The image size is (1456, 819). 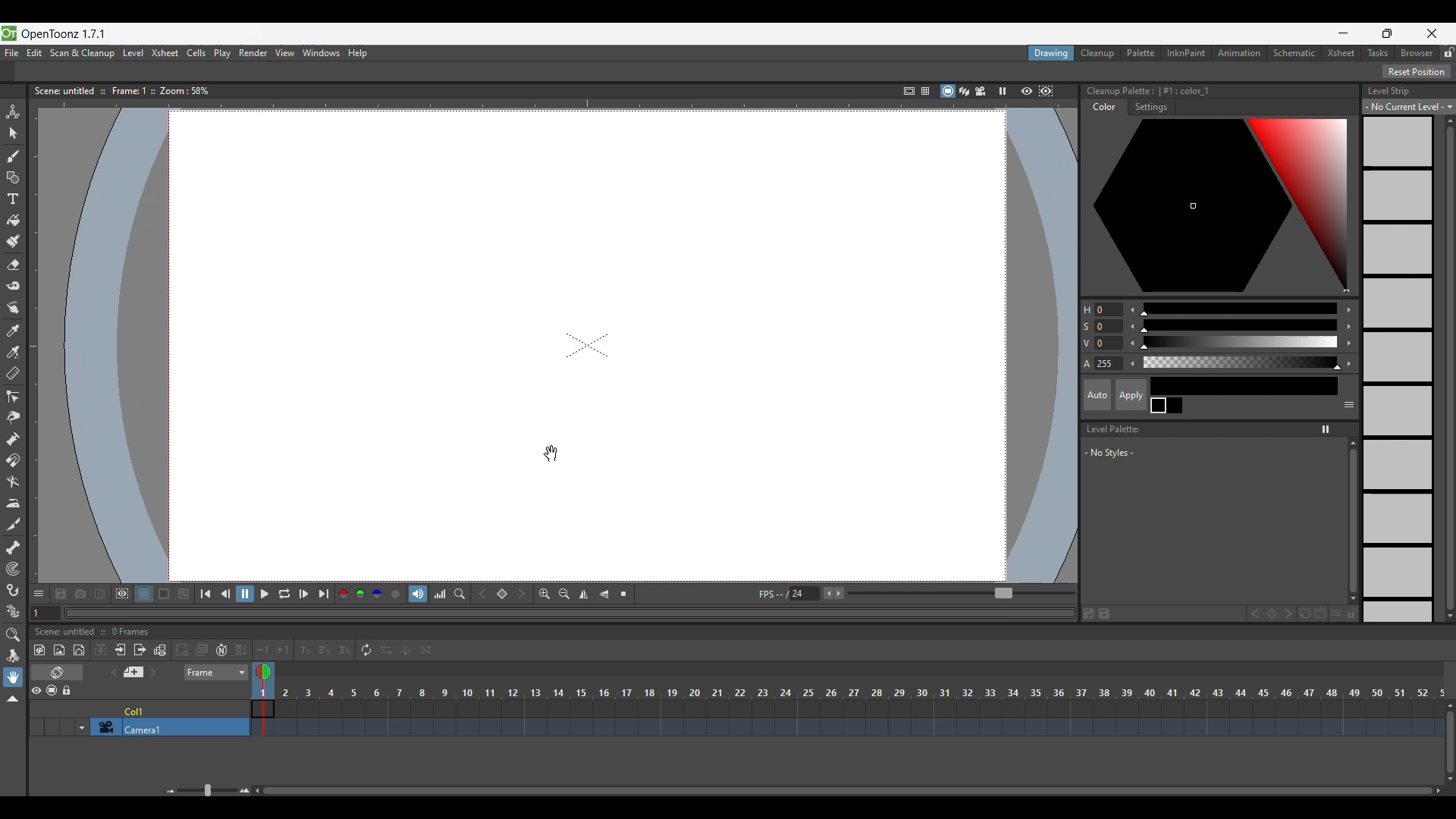 I want to click on Cells, so click(x=196, y=53).